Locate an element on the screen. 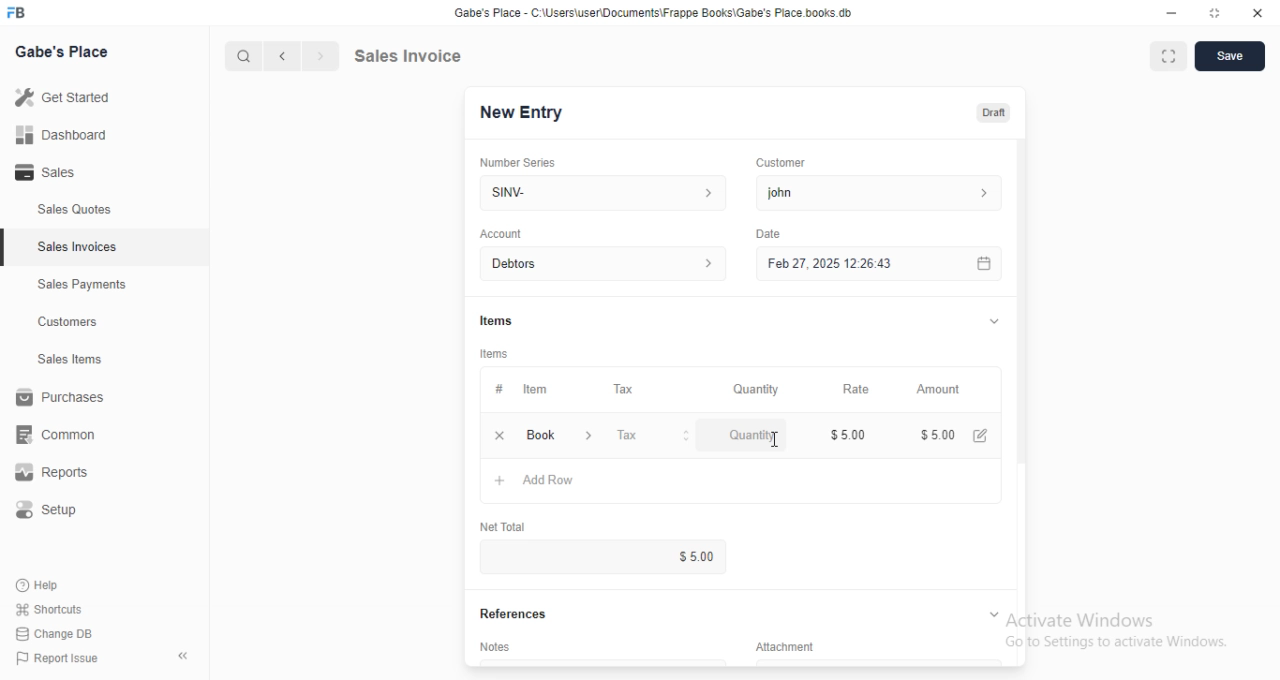  Sales tems is located at coordinates (71, 359).